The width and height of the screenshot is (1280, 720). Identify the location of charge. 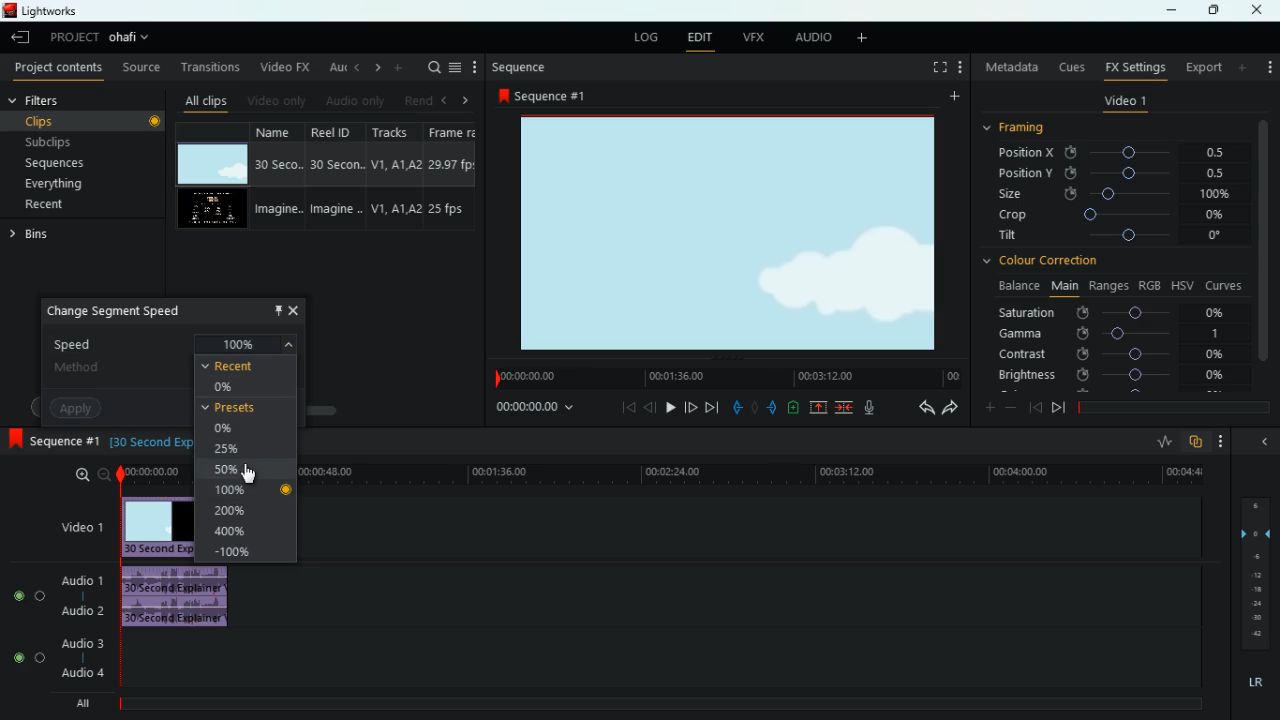
(794, 407).